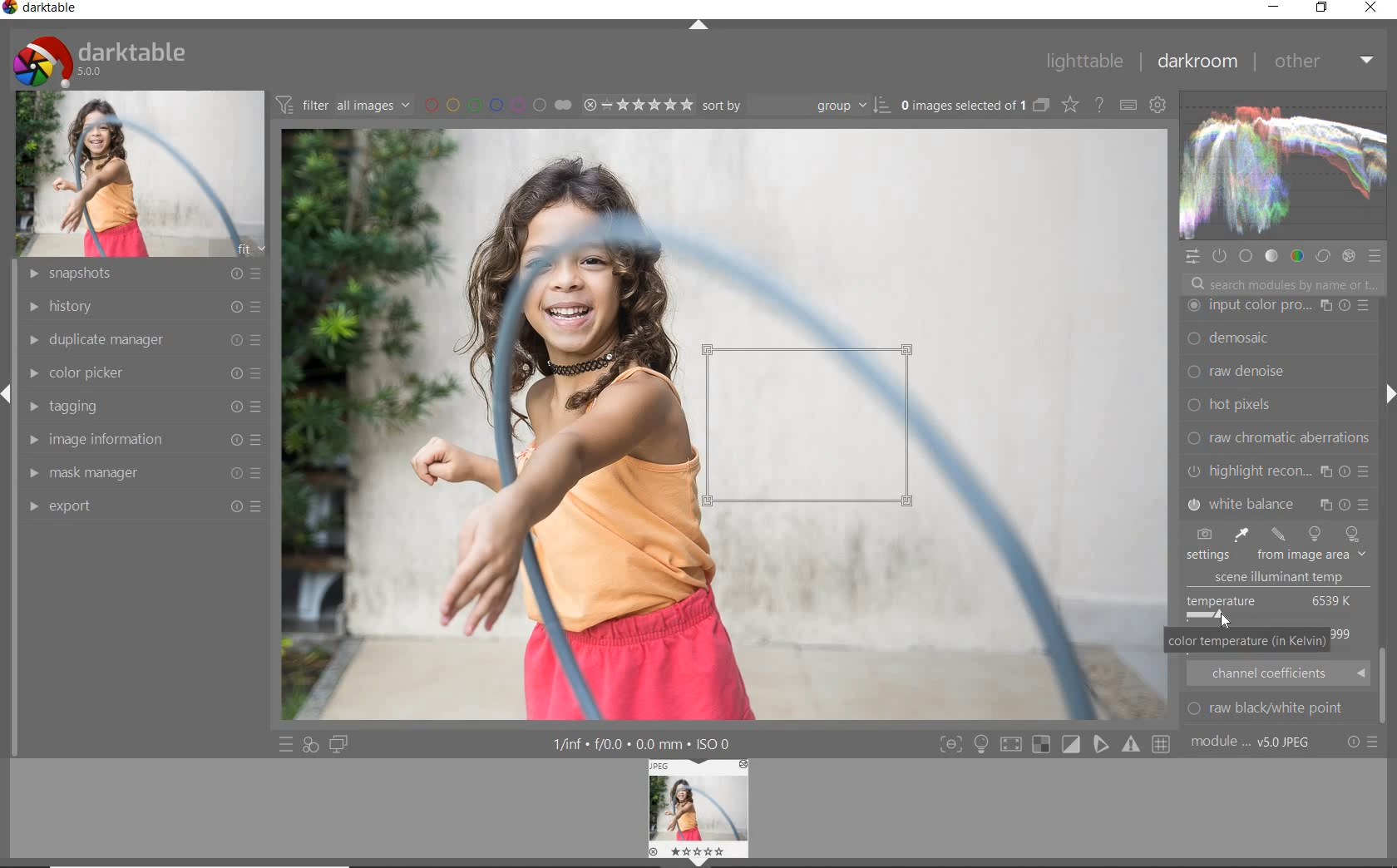 The height and width of the screenshot is (868, 1397). I want to click on sort, so click(796, 104).